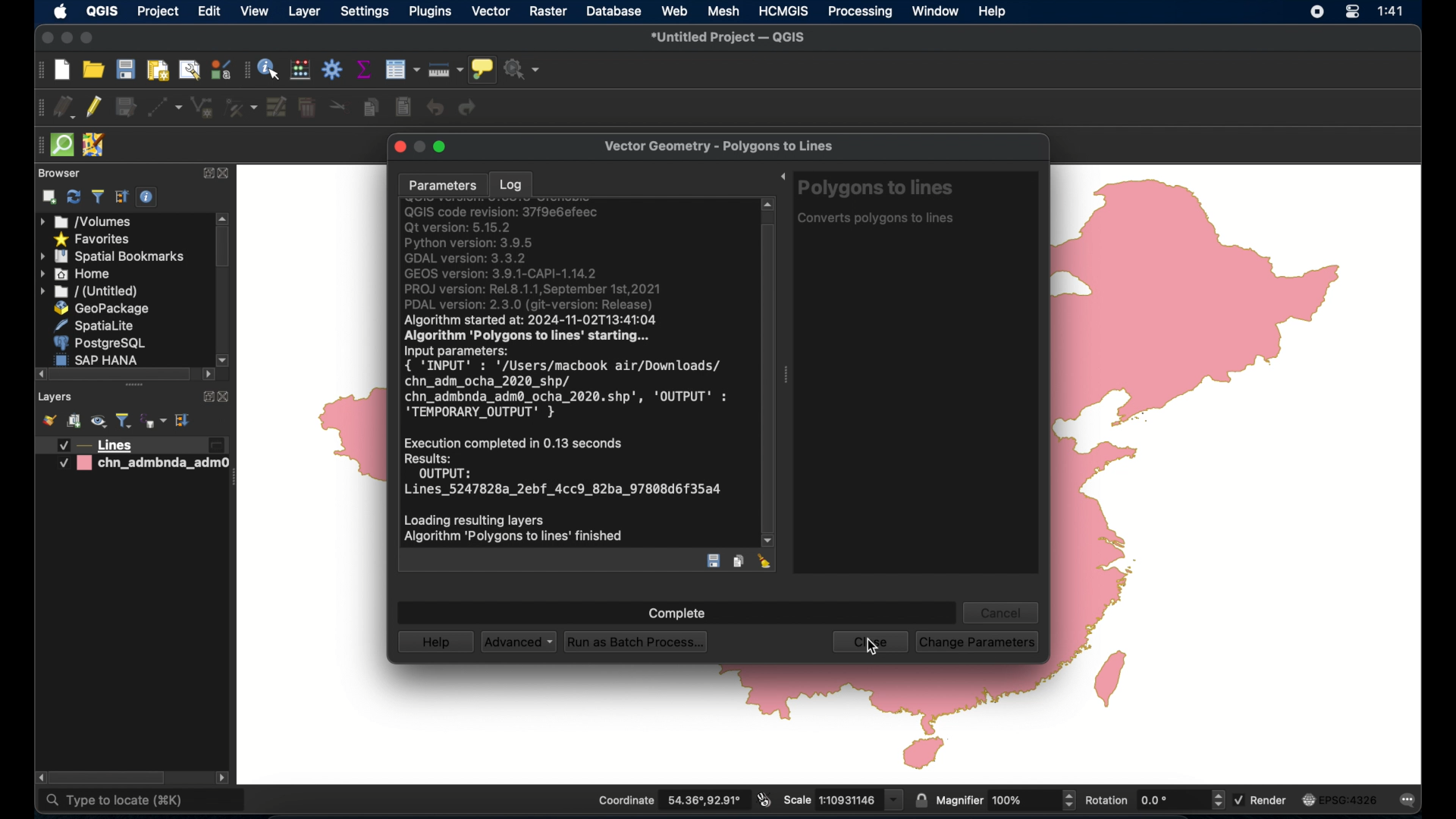 This screenshot has width=1456, height=819. What do you see at coordinates (64, 146) in the screenshot?
I see `quick osm` at bounding box center [64, 146].